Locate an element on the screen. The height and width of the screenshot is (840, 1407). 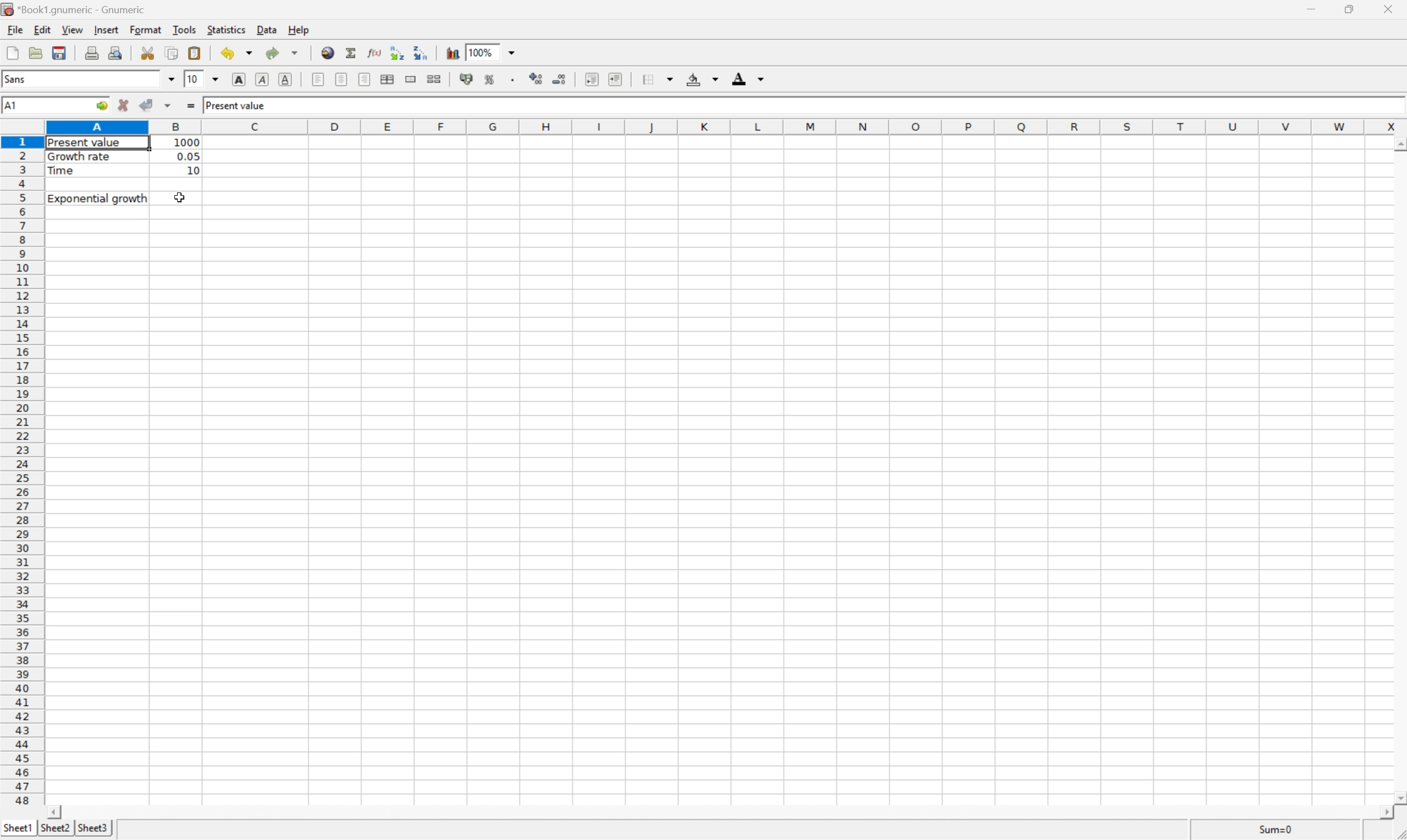
Present value is located at coordinates (86, 144).